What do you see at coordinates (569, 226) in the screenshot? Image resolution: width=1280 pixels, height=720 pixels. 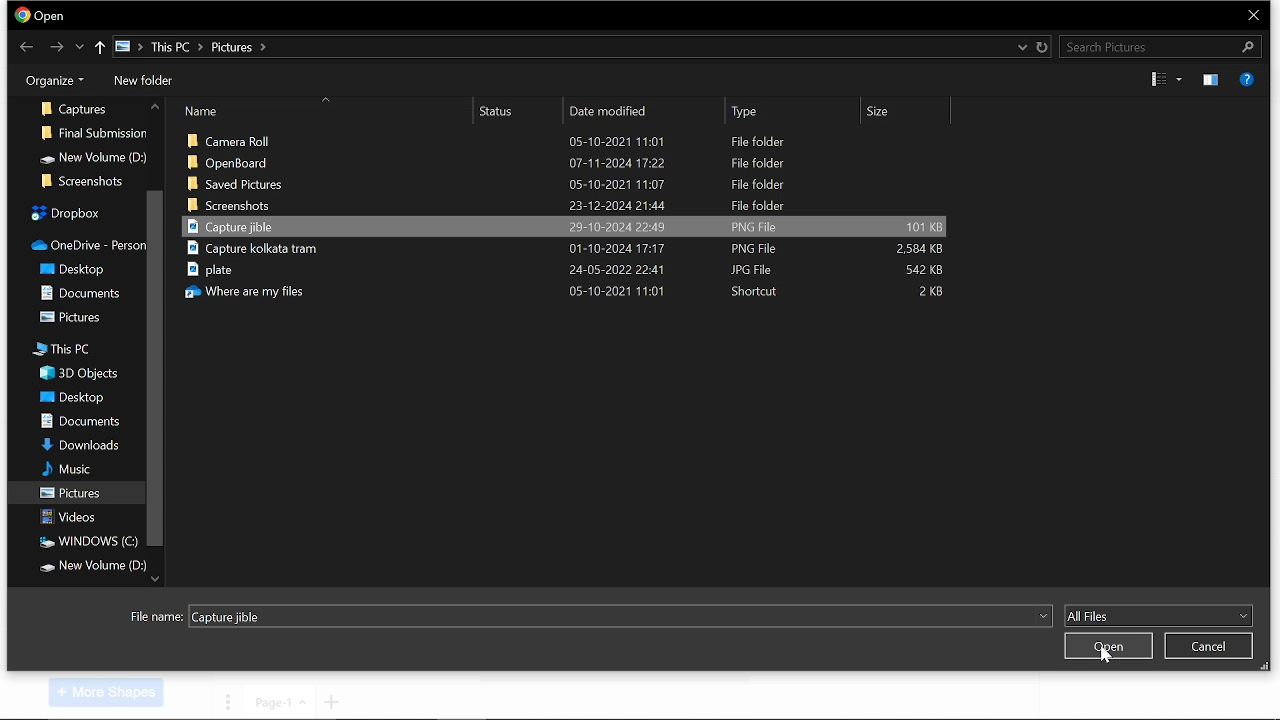 I see `files` at bounding box center [569, 226].